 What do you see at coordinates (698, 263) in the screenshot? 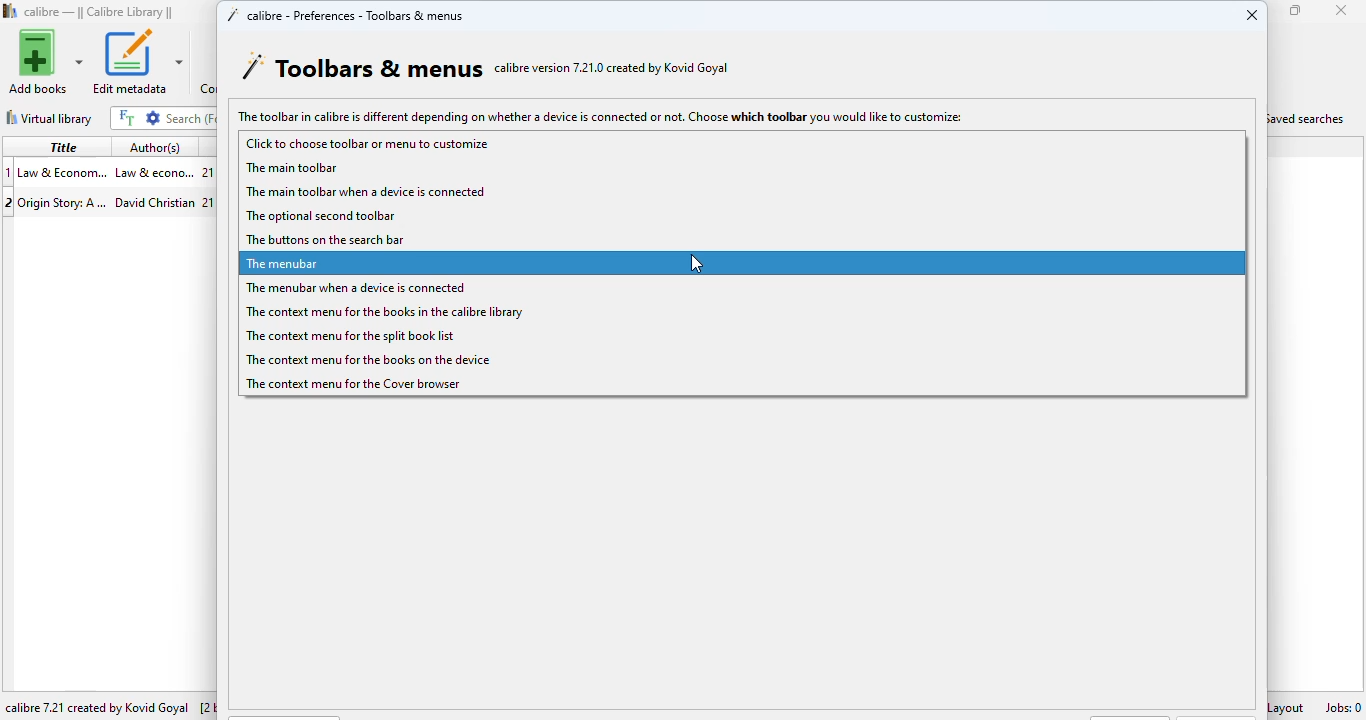
I see `cursor` at bounding box center [698, 263].